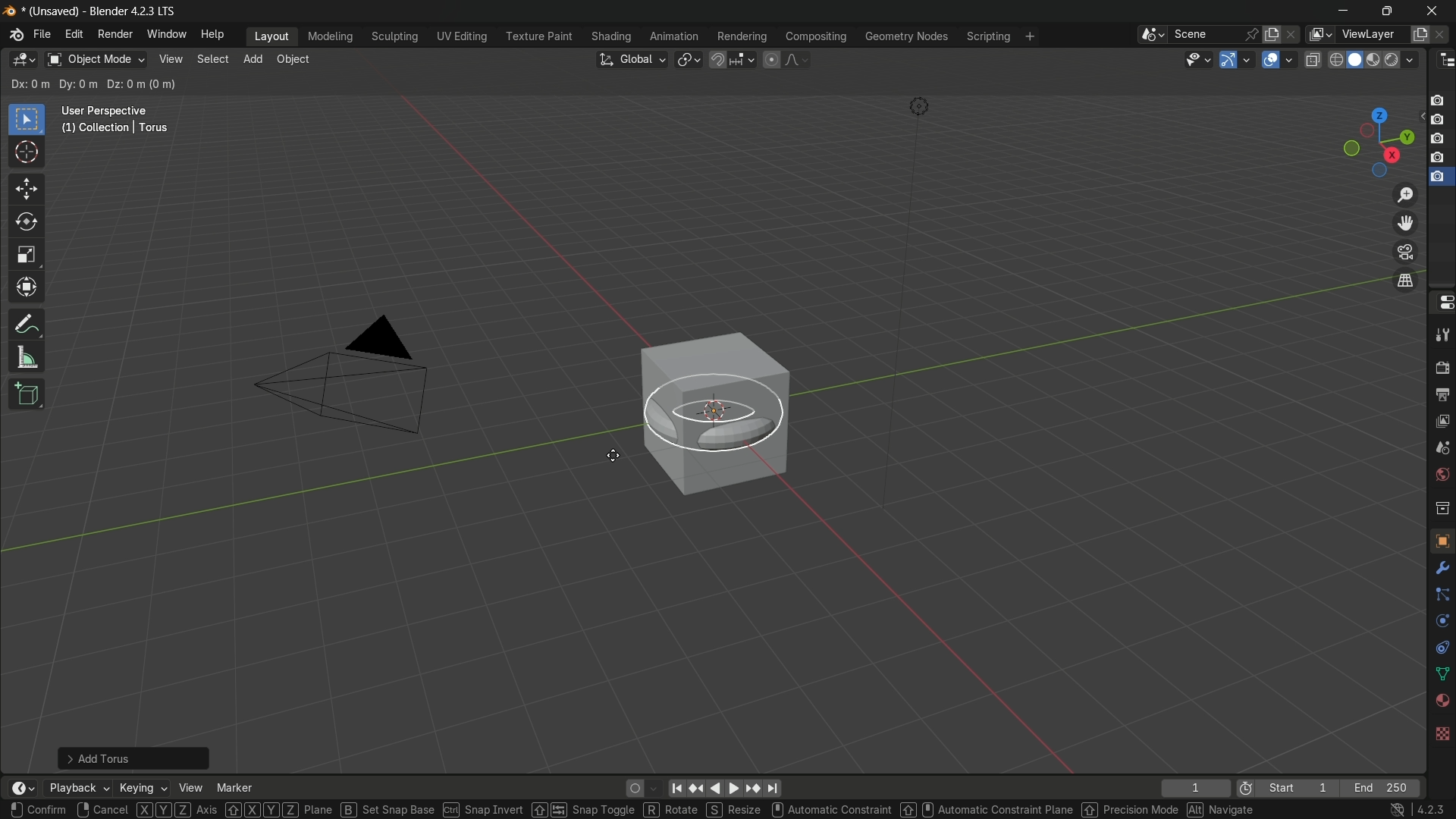 The height and width of the screenshot is (819, 1456). Describe the element at coordinates (816, 36) in the screenshot. I see `compositing` at that location.